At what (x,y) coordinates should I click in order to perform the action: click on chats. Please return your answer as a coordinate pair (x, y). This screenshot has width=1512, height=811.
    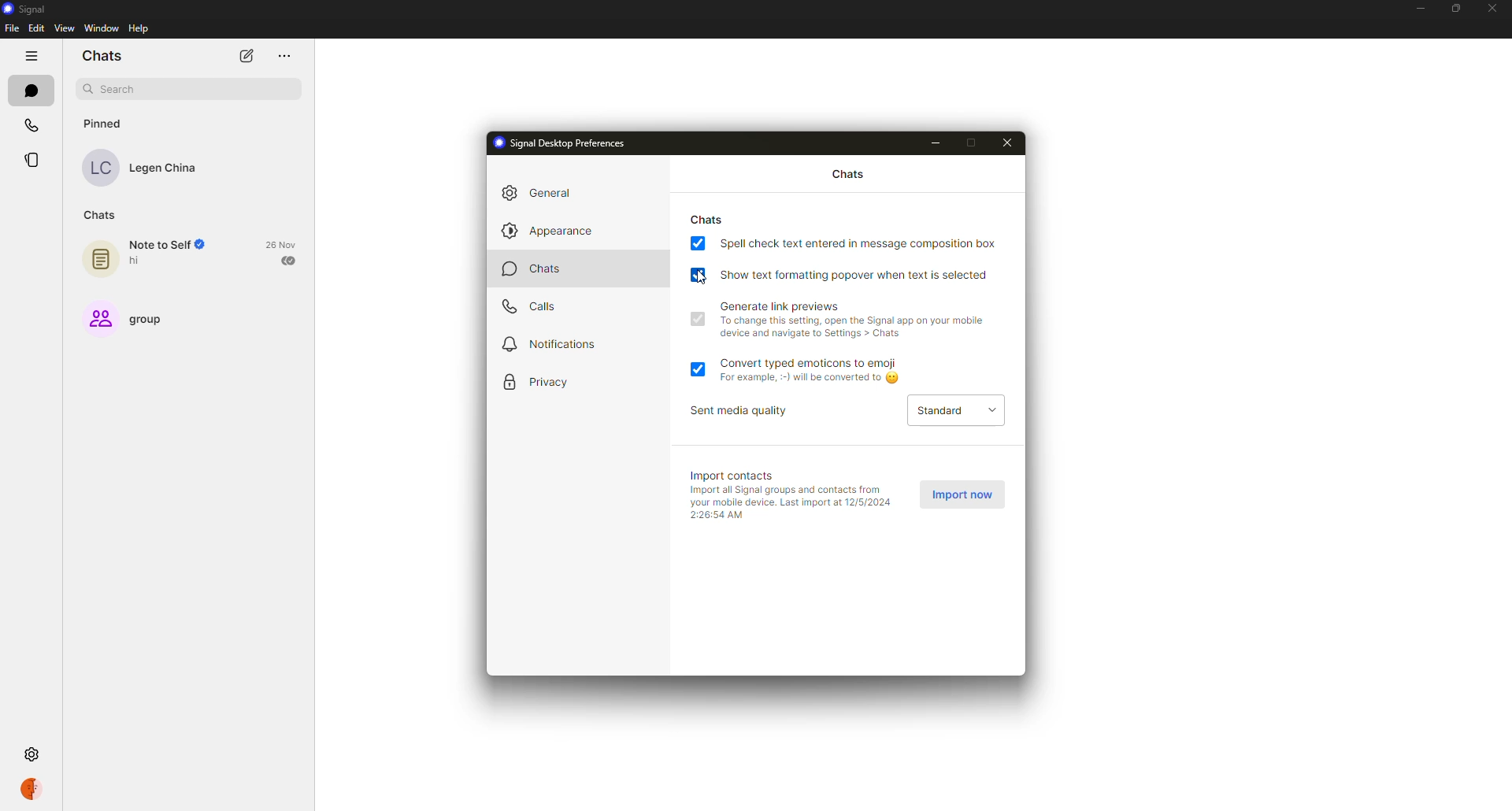
    Looking at the image, I should click on (29, 90).